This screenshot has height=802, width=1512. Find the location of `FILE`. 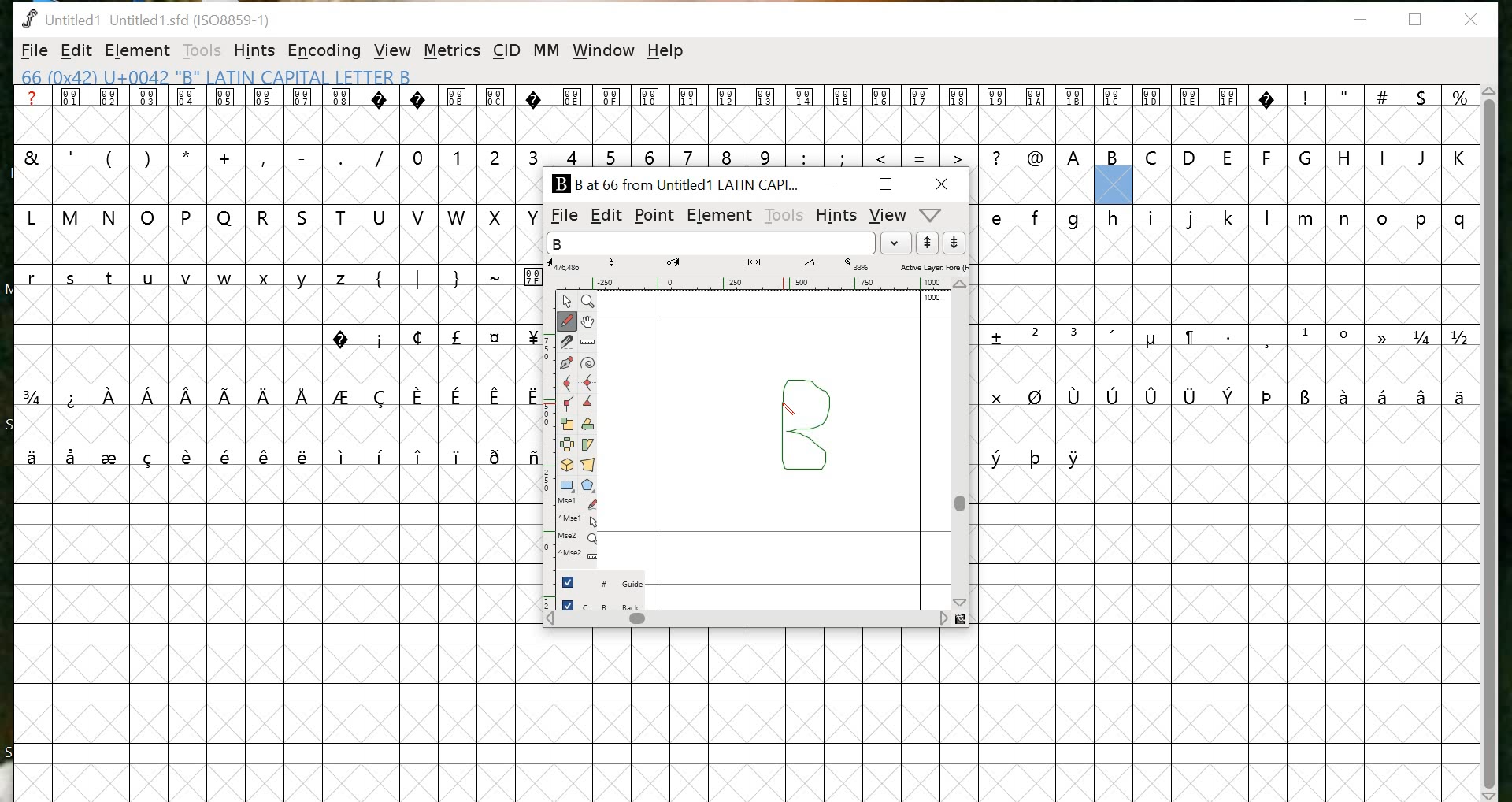

FILE is located at coordinates (33, 52).